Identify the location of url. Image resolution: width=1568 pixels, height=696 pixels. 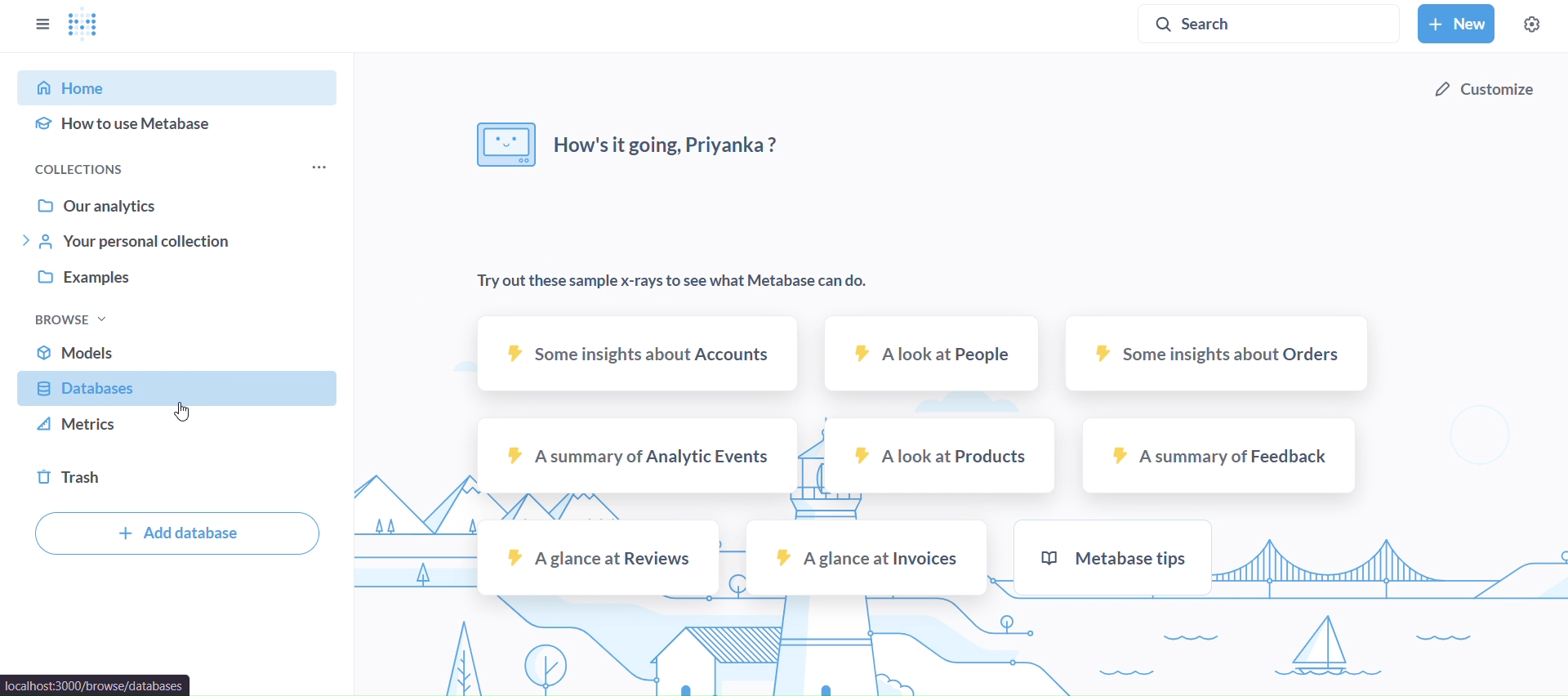
(97, 685).